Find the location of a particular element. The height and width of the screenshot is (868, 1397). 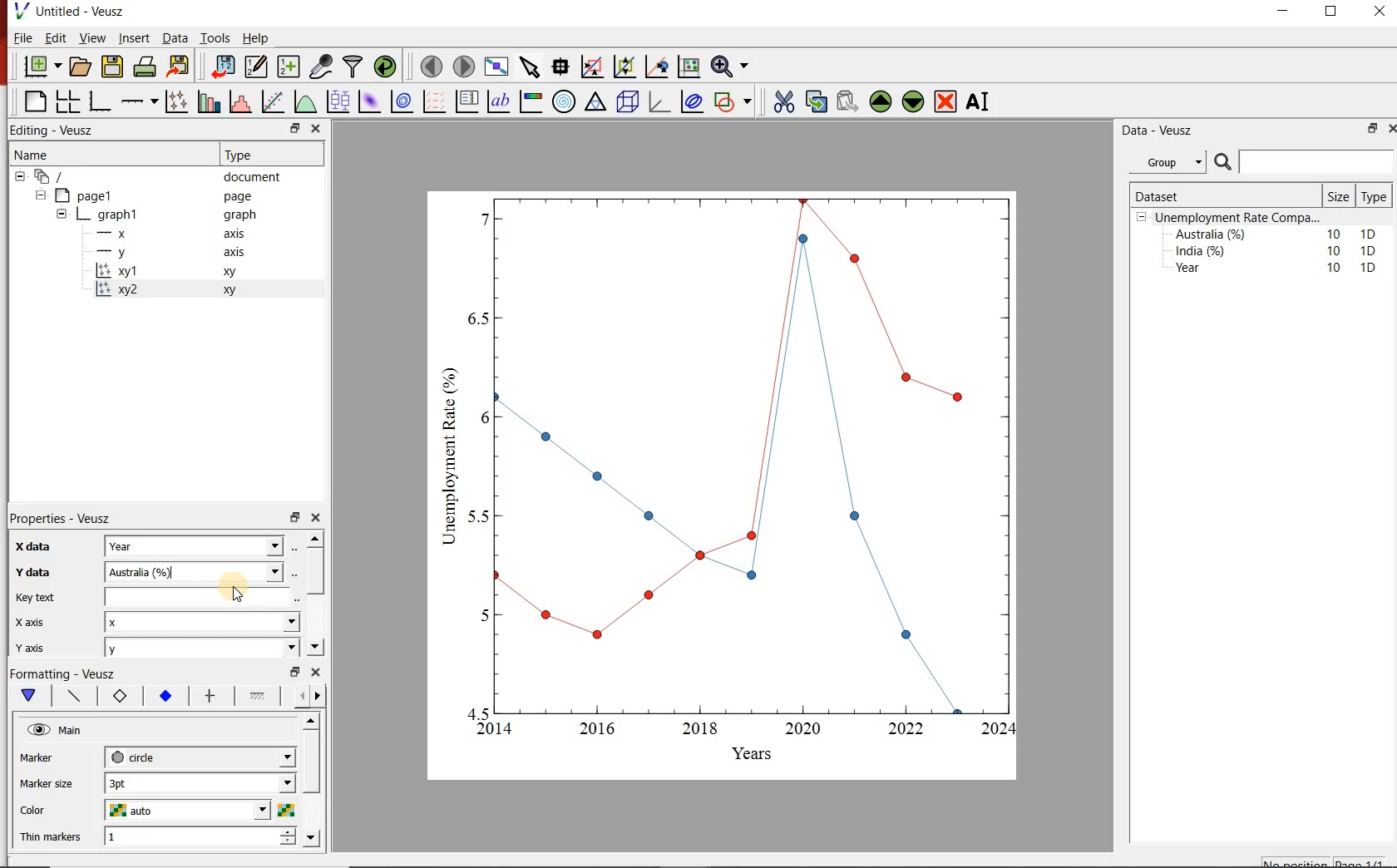

error bar line is located at coordinates (211, 696).